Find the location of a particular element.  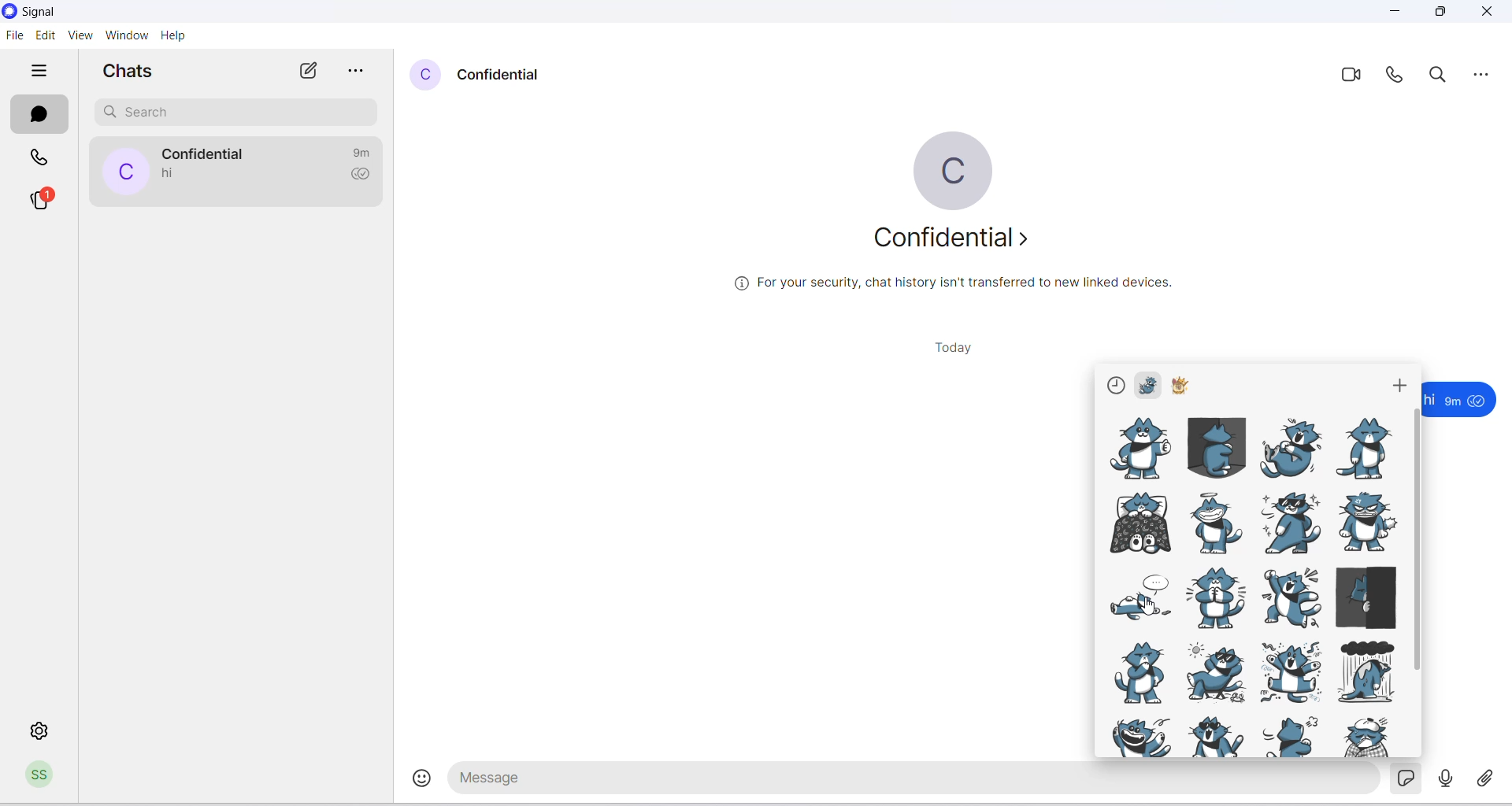

profile picture is located at coordinates (951, 171).